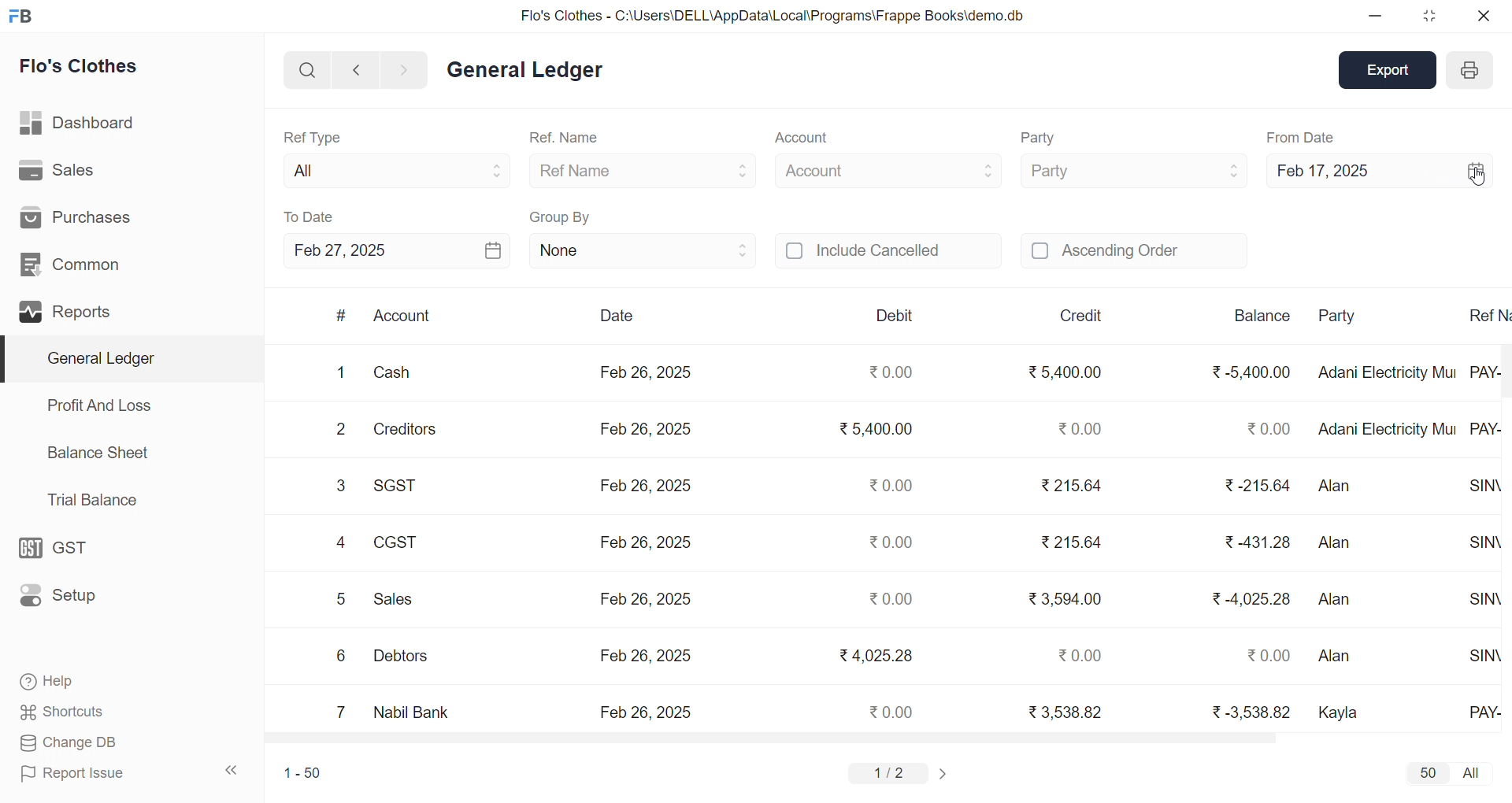  Describe the element at coordinates (57, 168) in the screenshot. I see `Sales` at that location.